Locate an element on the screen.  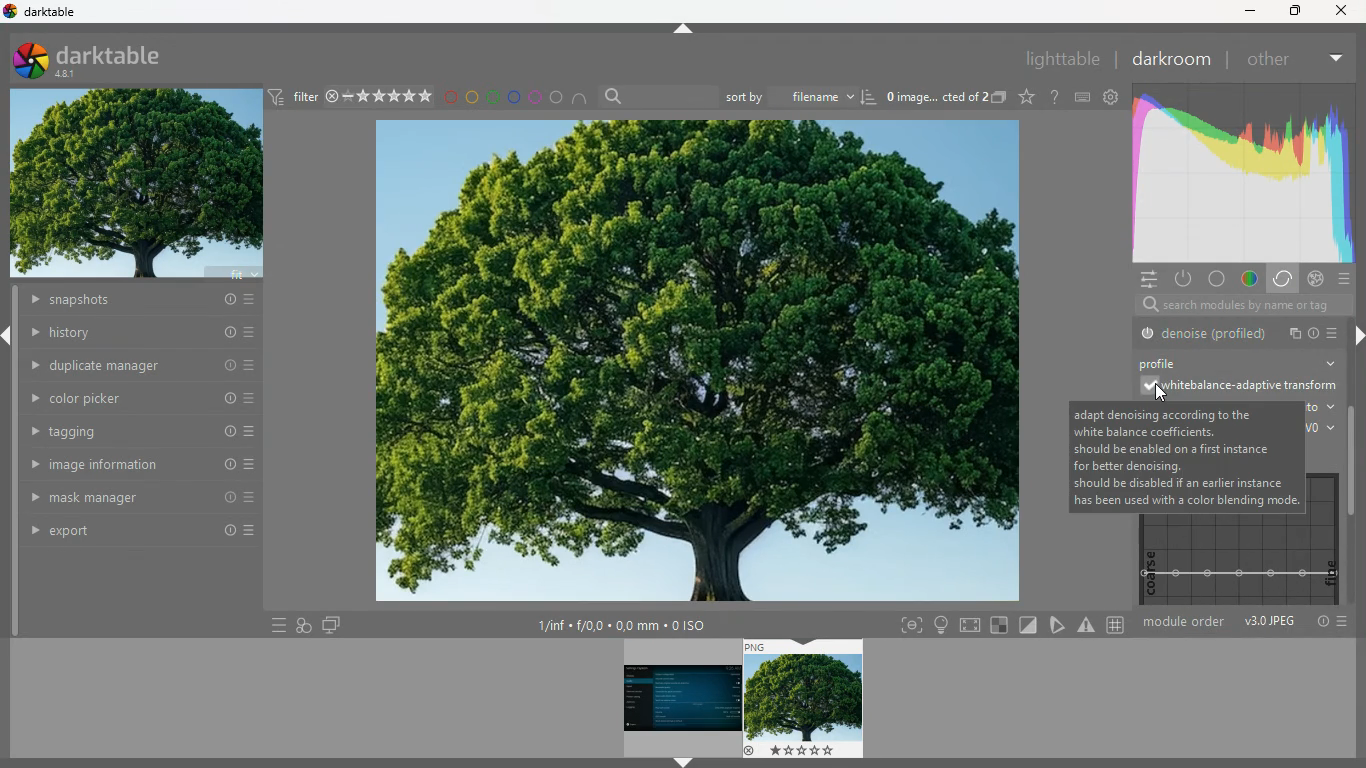
scroll bar is located at coordinates (1357, 362).